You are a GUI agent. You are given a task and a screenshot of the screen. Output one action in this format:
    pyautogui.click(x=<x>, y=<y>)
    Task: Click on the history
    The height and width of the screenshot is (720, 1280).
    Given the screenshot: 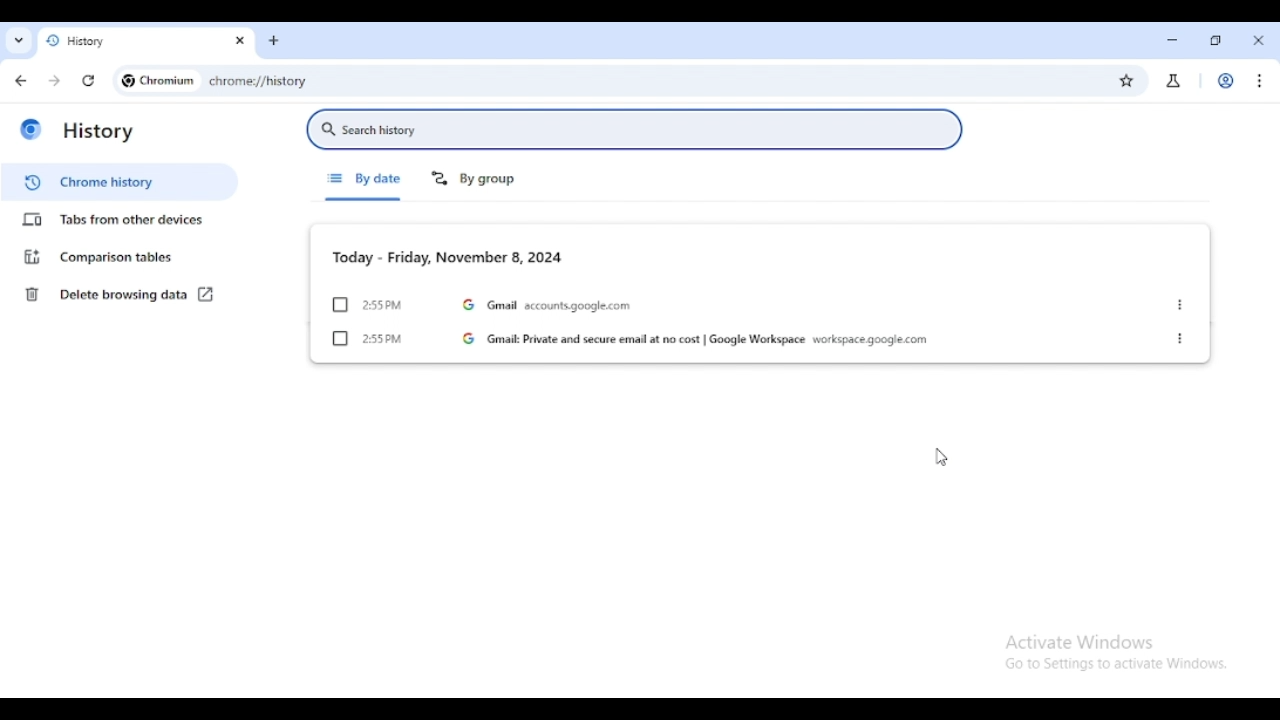 What is the action you would take?
    pyautogui.click(x=98, y=130)
    